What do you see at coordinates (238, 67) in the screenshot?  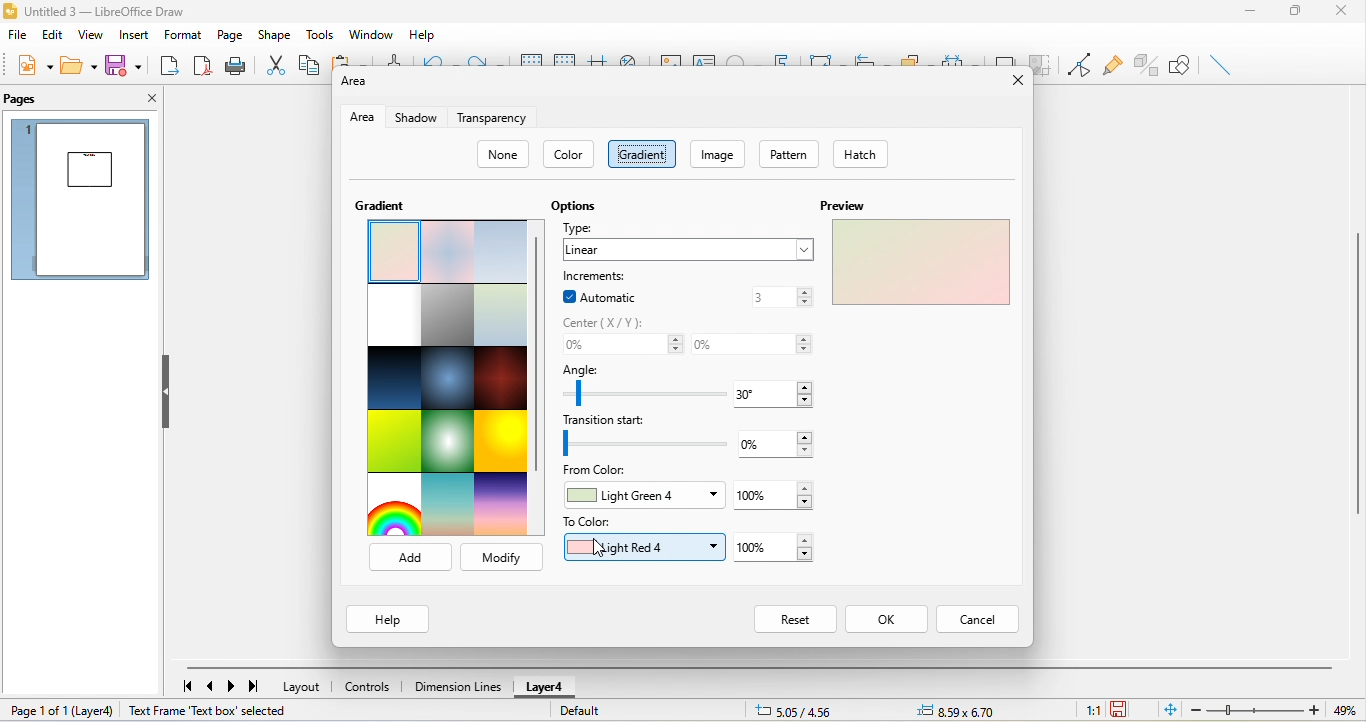 I see `print` at bounding box center [238, 67].